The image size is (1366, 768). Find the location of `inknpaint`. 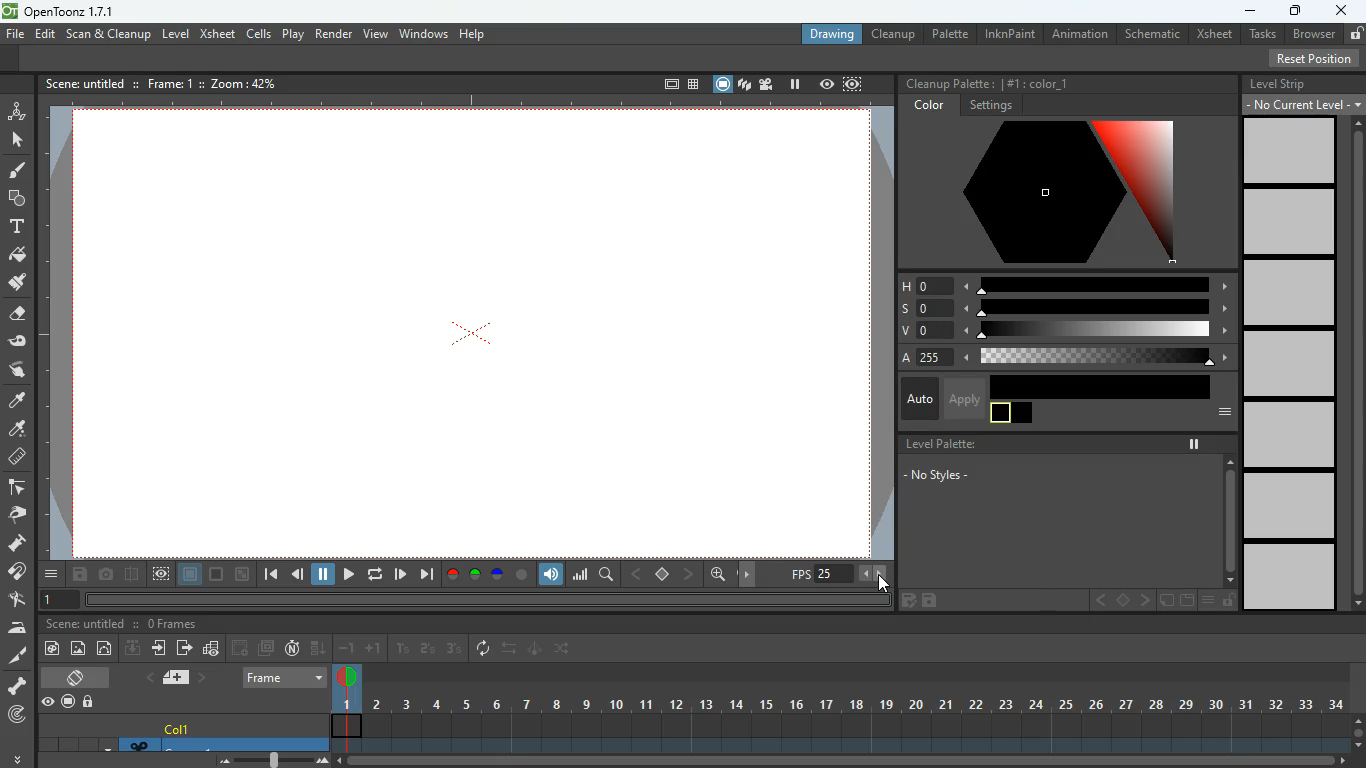

inknpaint is located at coordinates (1009, 35).